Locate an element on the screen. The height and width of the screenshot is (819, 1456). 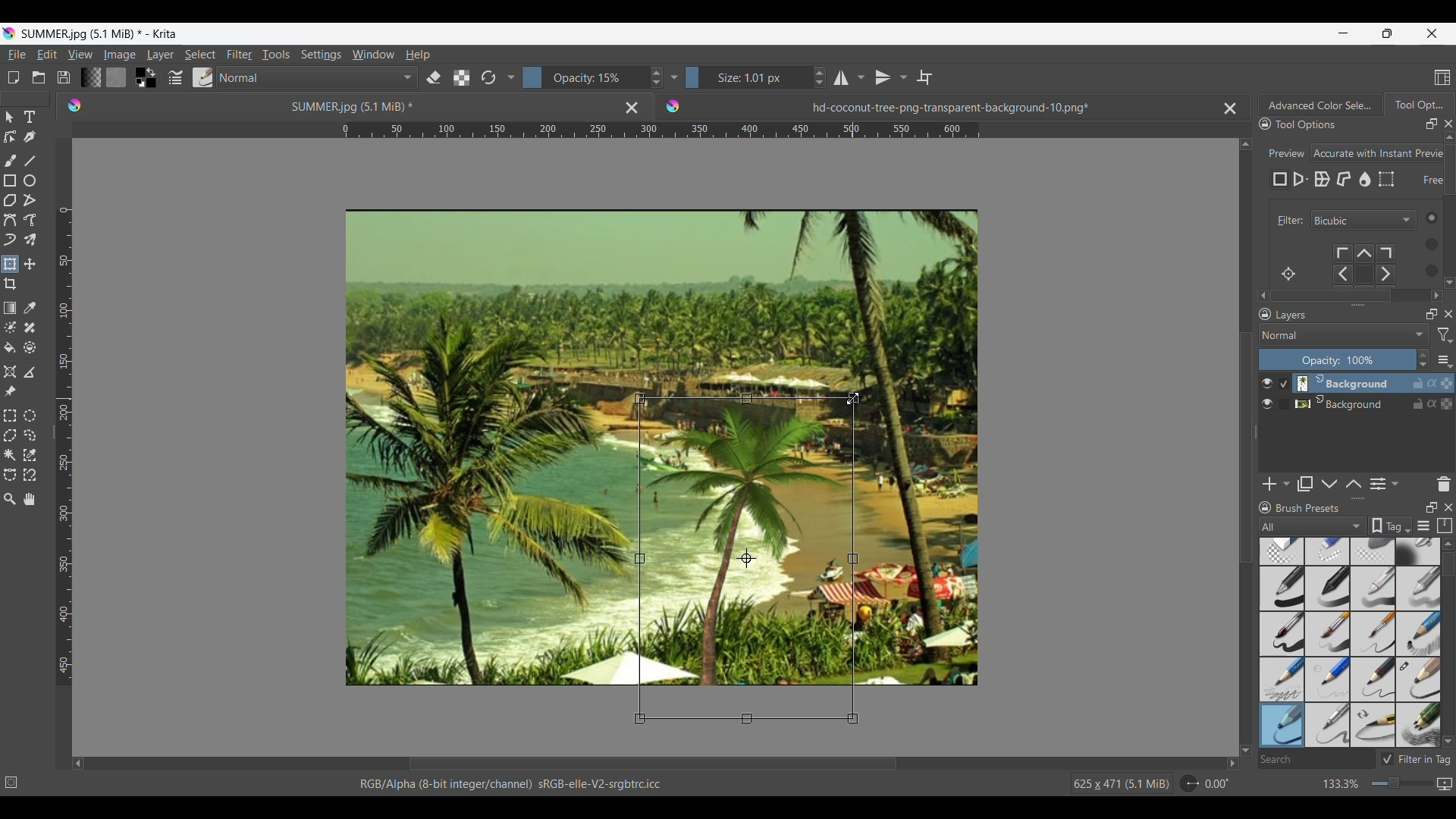
pencil 3 - large 4b is located at coordinates (1419, 680).